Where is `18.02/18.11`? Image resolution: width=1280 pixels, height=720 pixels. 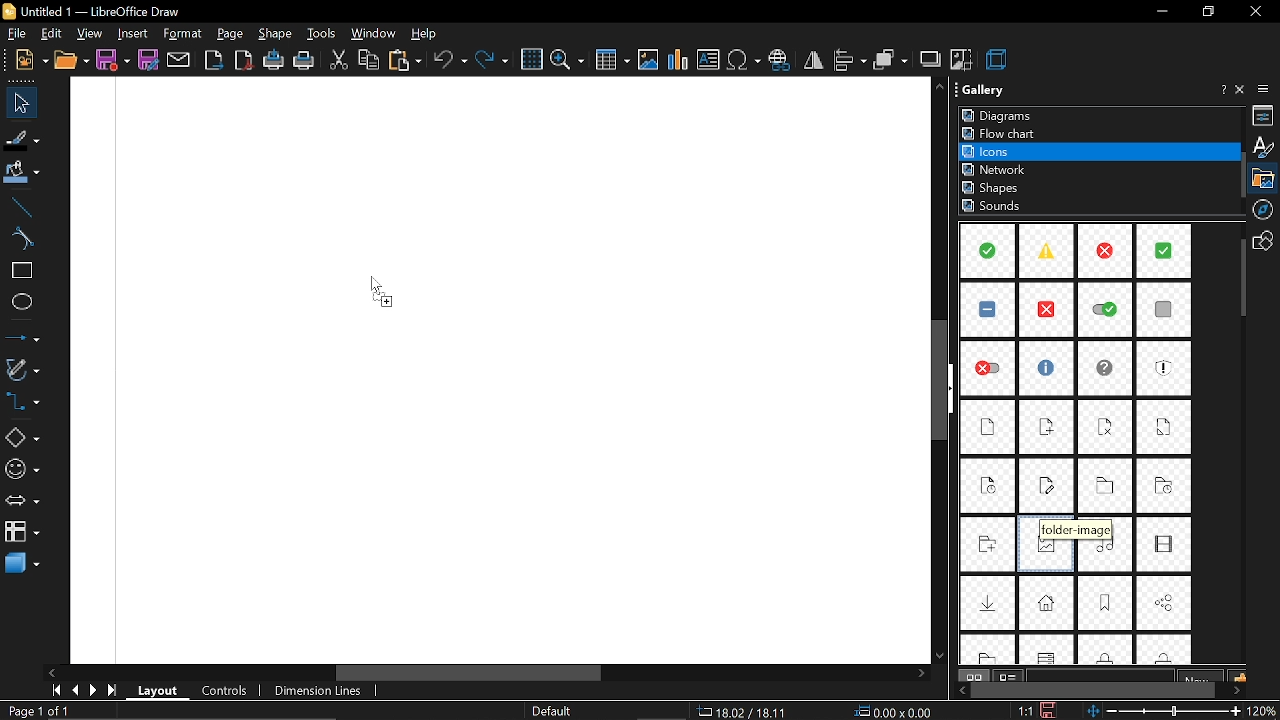
18.02/18.11 is located at coordinates (746, 712).